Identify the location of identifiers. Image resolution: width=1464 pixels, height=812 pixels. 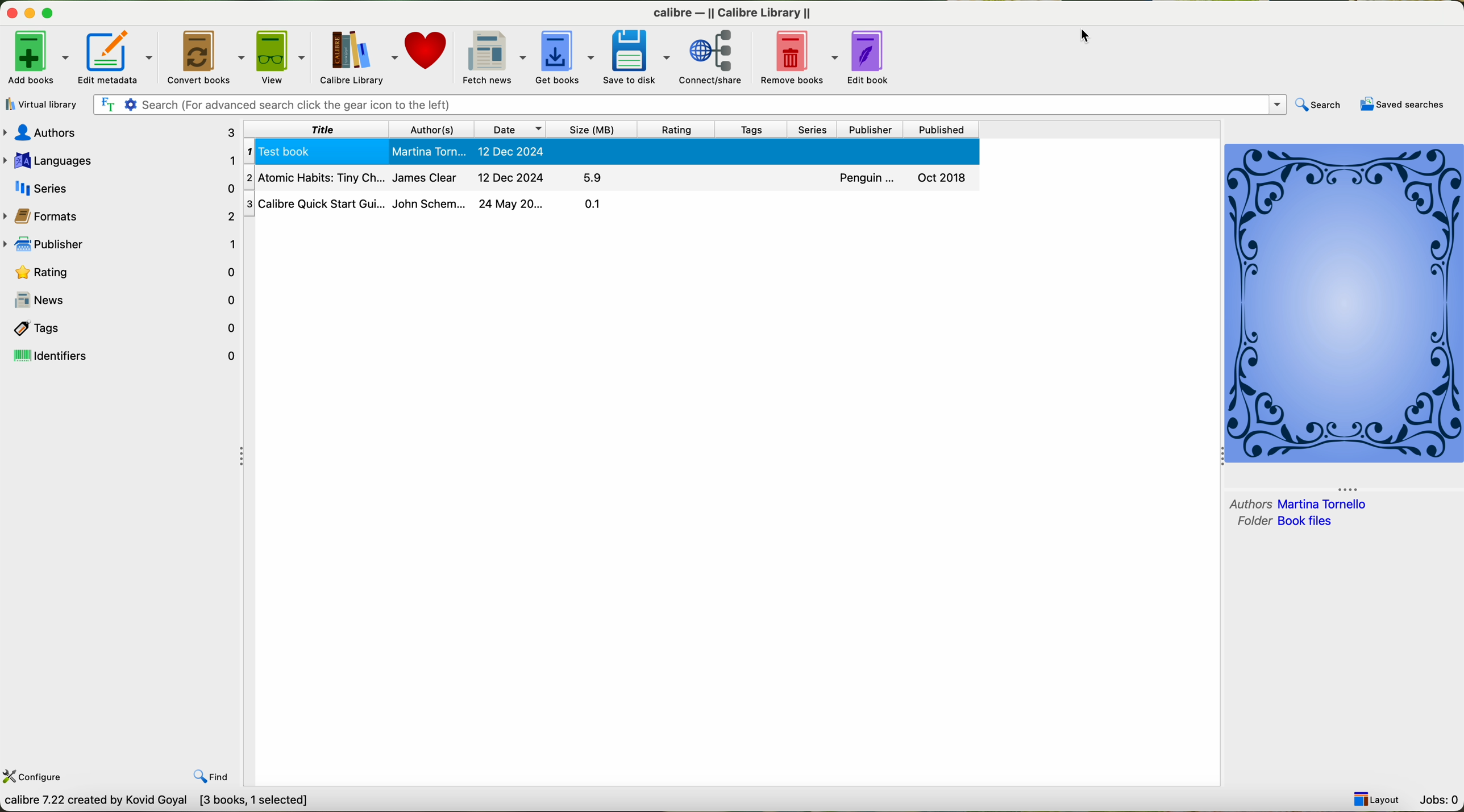
(123, 356).